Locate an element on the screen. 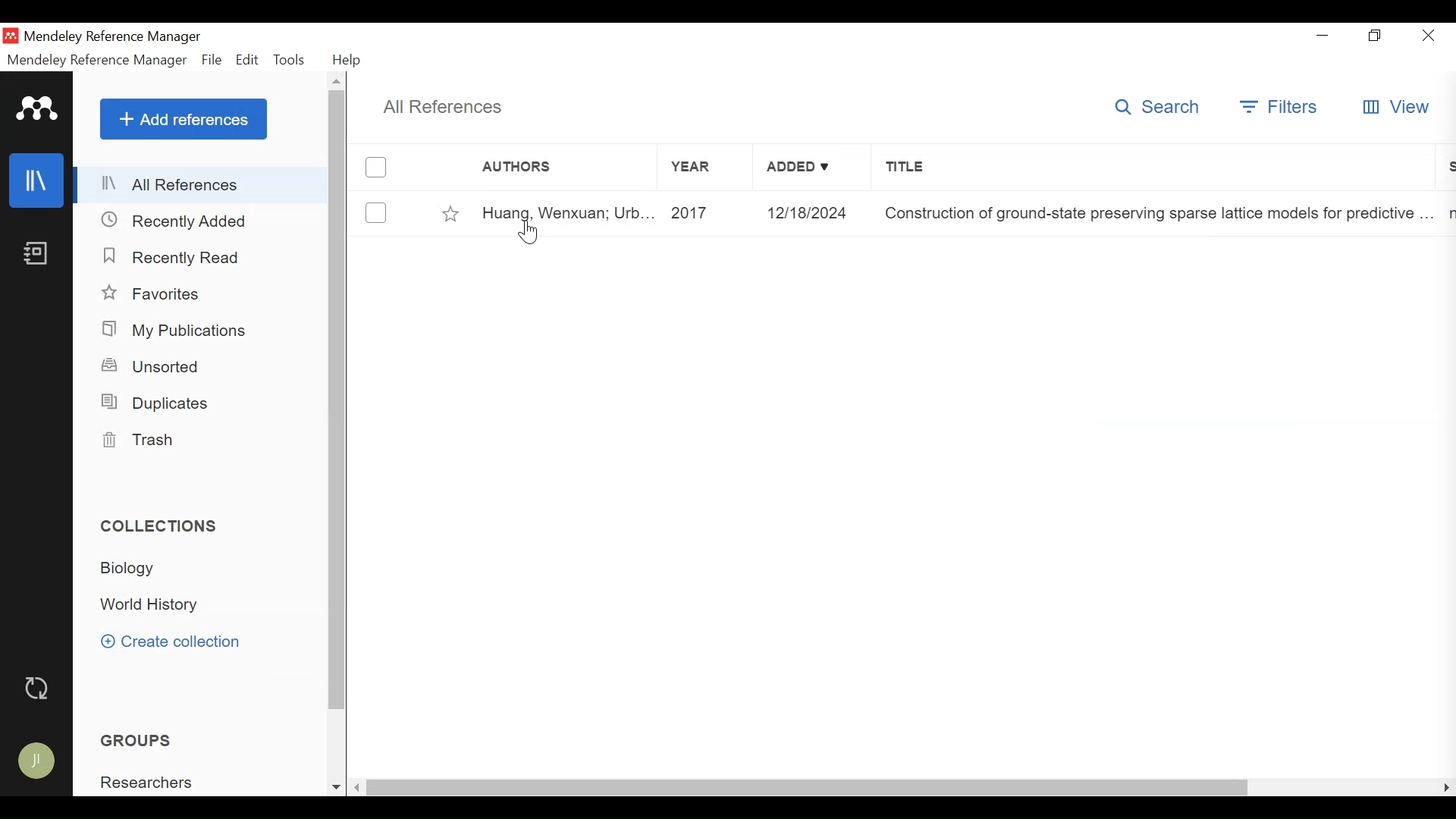 The image size is (1456, 819). Horizontal Scroll bar is located at coordinates (809, 789).